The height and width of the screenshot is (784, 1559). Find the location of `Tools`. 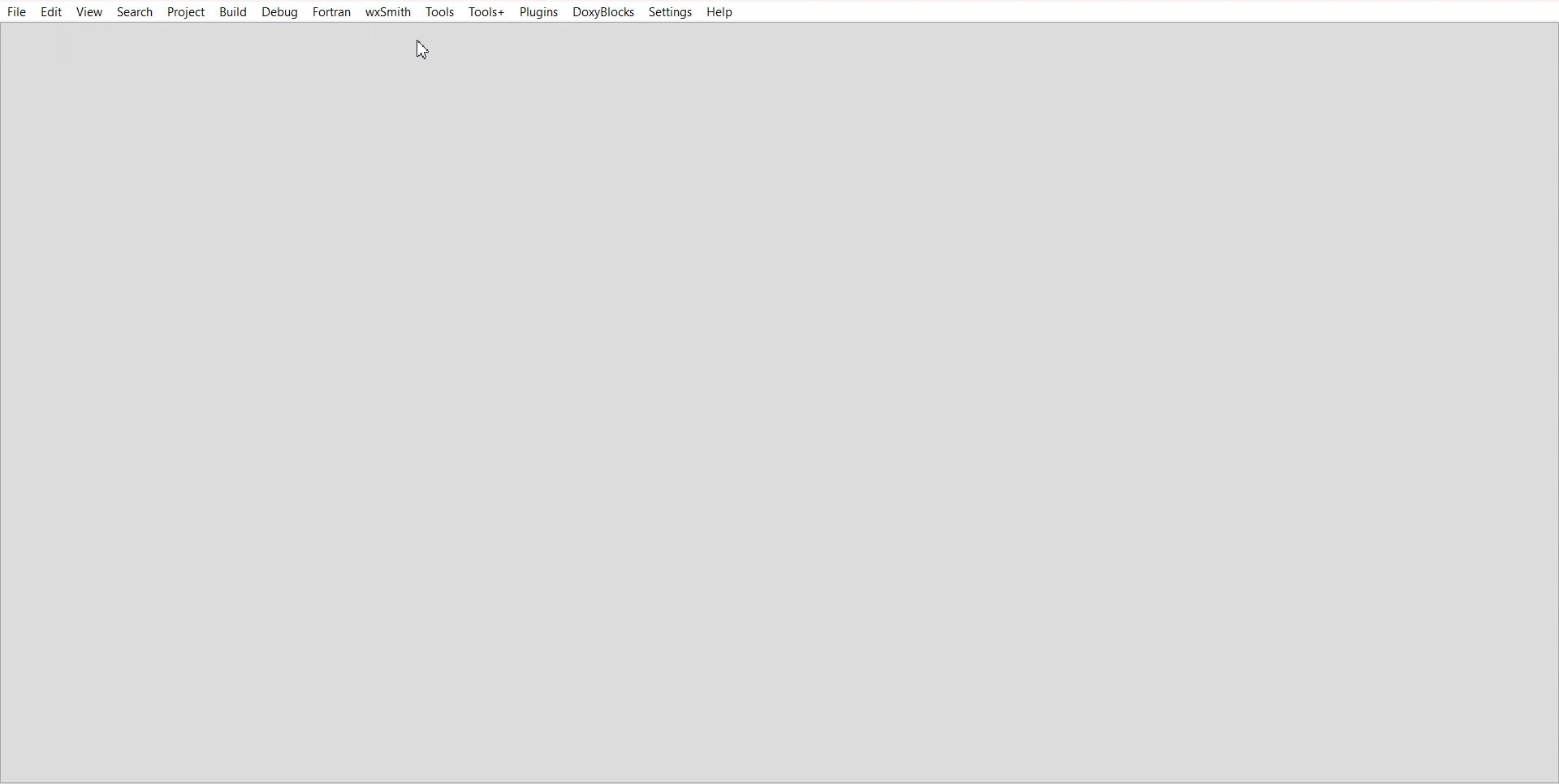

Tools is located at coordinates (438, 12).